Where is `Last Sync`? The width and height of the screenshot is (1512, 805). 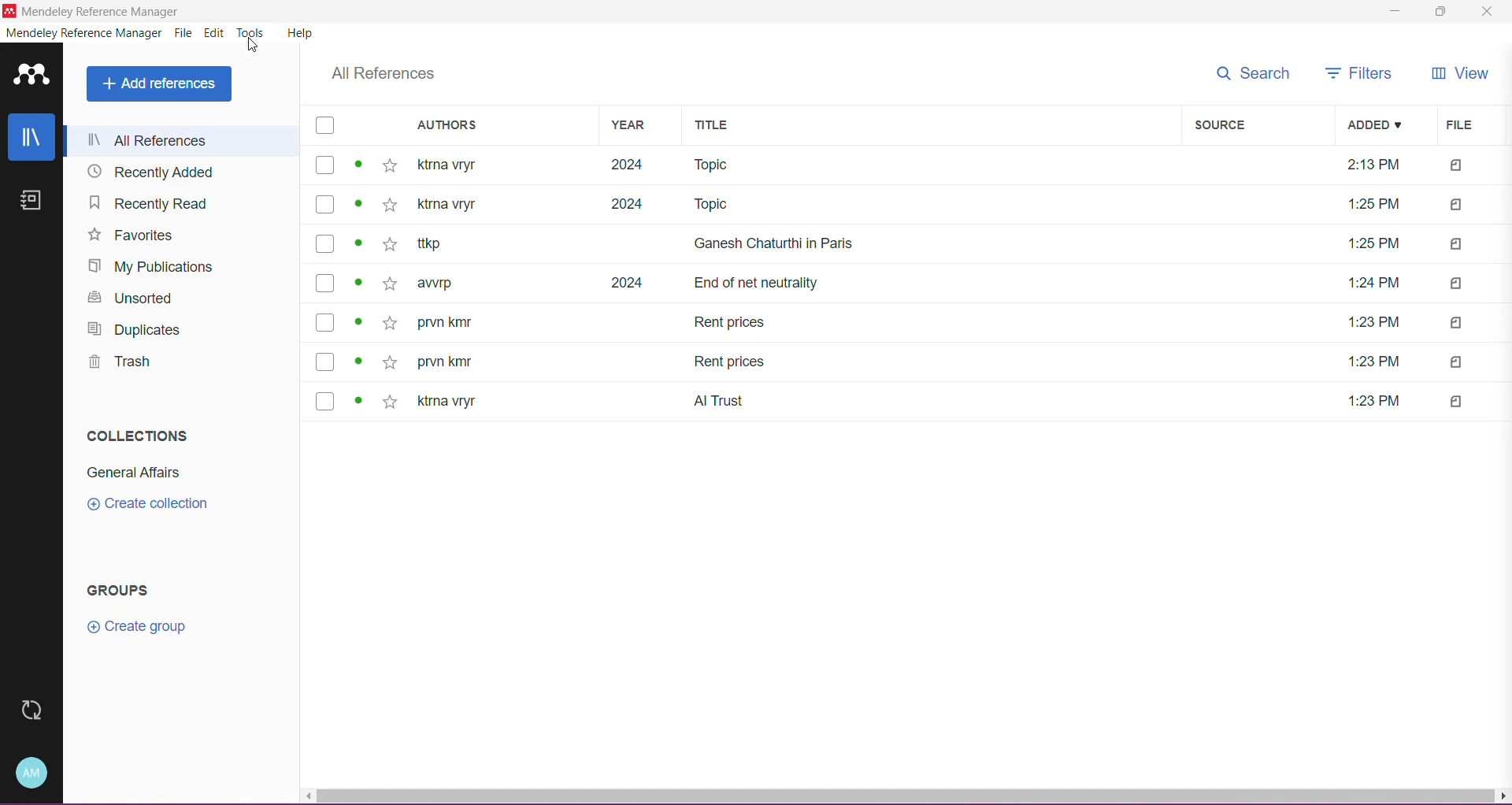
Last Sync is located at coordinates (29, 710).